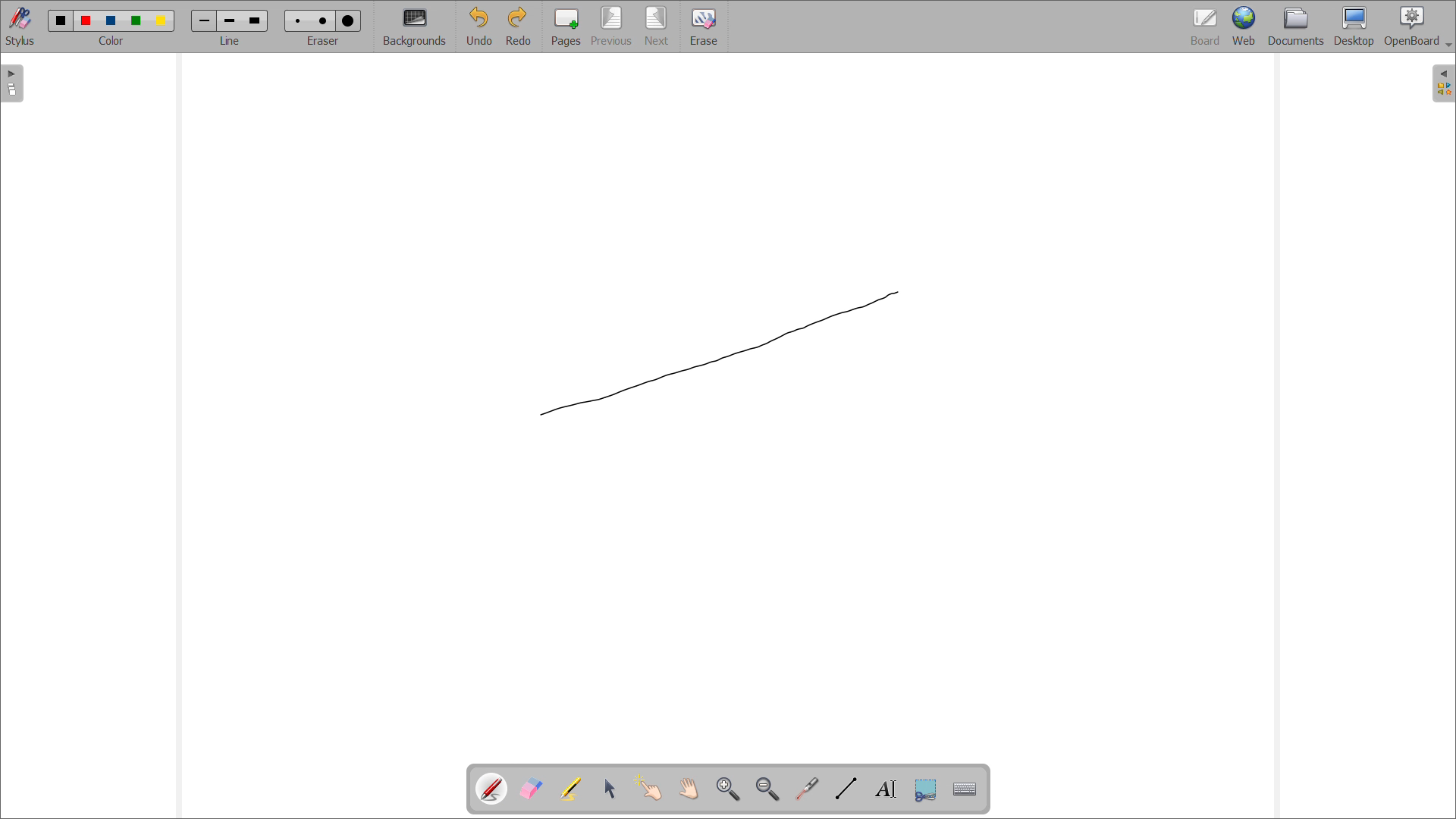 The width and height of the screenshot is (1456, 819). What do you see at coordinates (415, 26) in the screenshot?
I see `backgrounds` at bounding box center [415, 26].